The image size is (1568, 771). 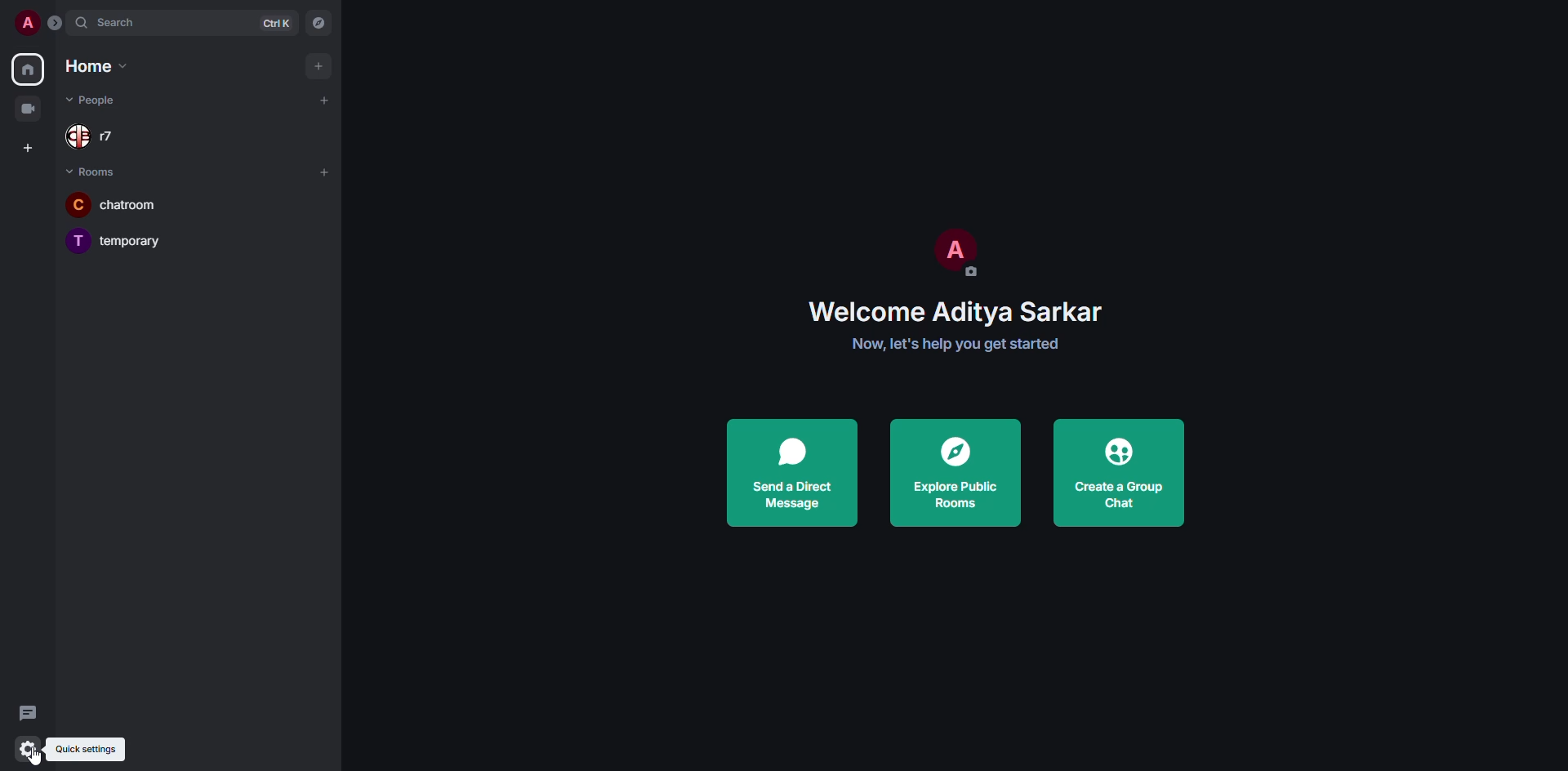 I want to click on ctrl K, so click(x=276, y=23).